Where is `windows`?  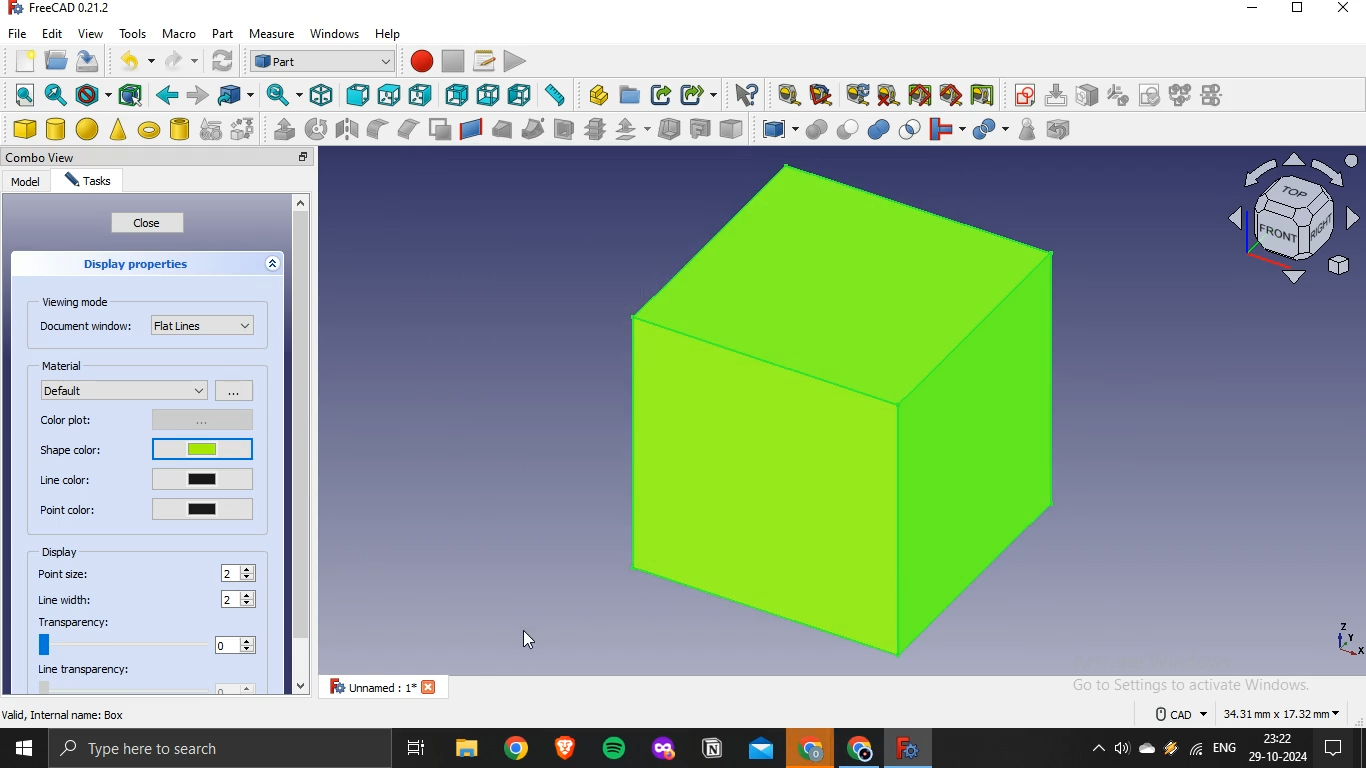
windows is located at coordinates (336, 32).